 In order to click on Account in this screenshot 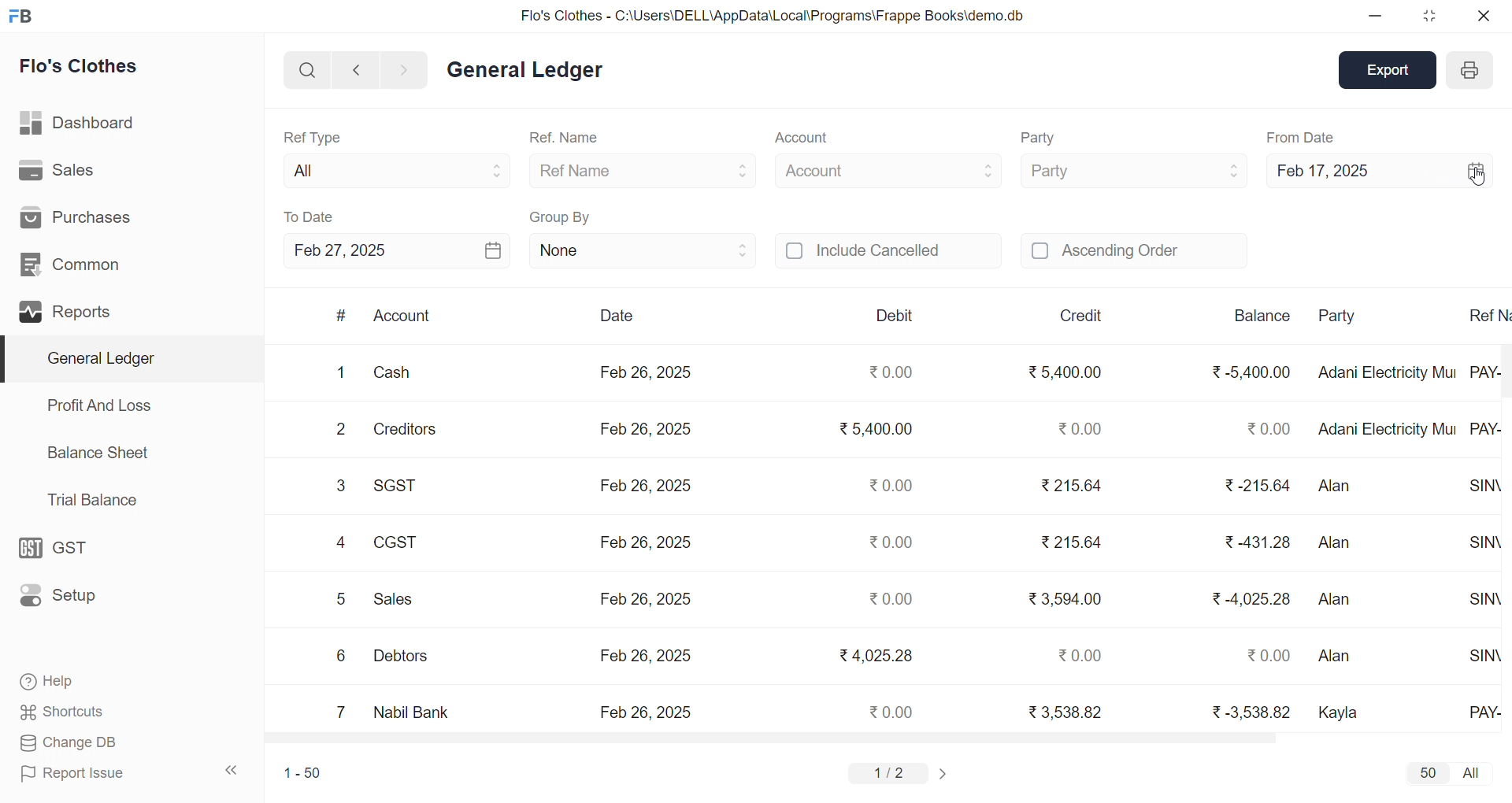, I will do `click(800, 139)`.